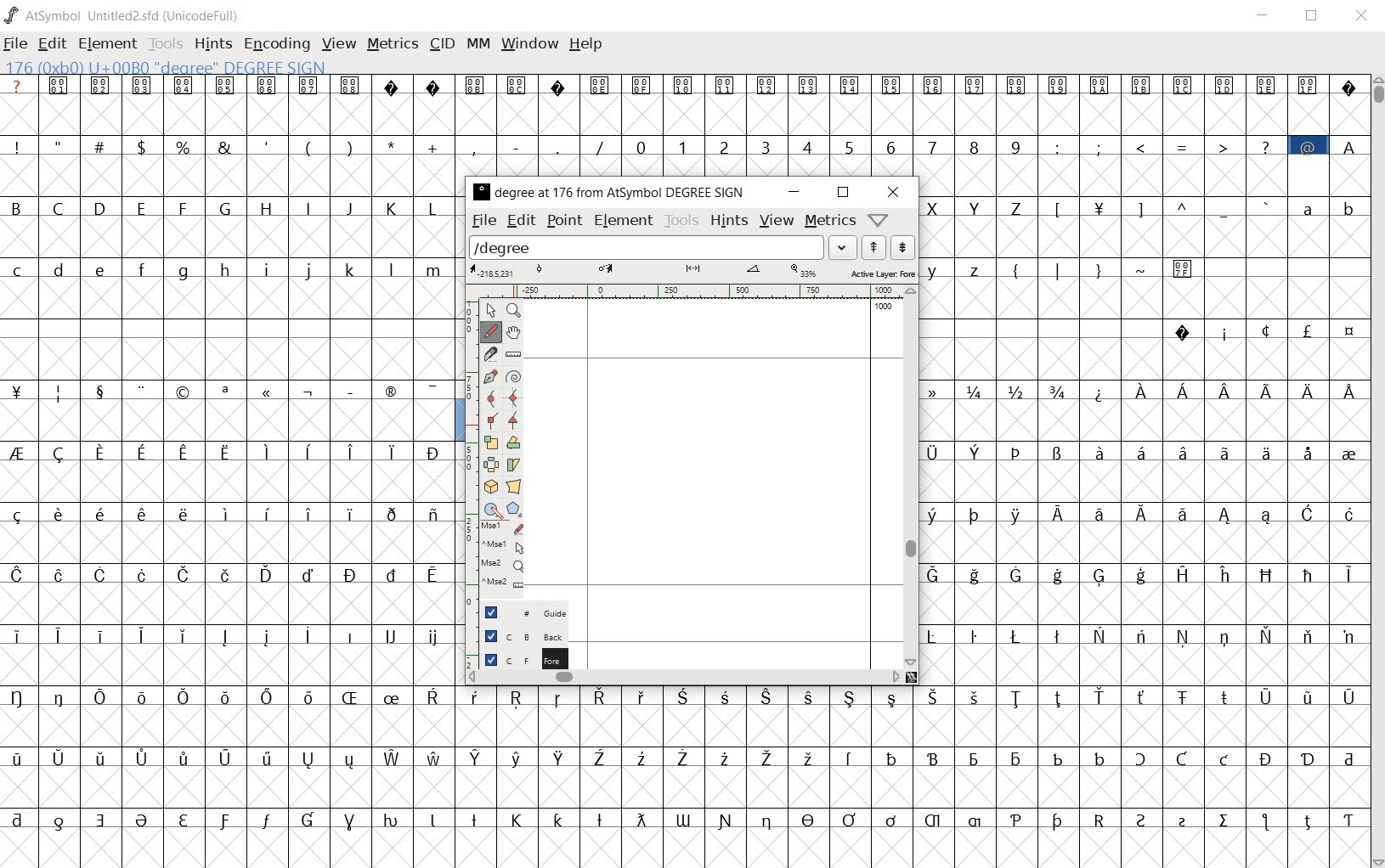  I want to click on edit, so click(50, 45).